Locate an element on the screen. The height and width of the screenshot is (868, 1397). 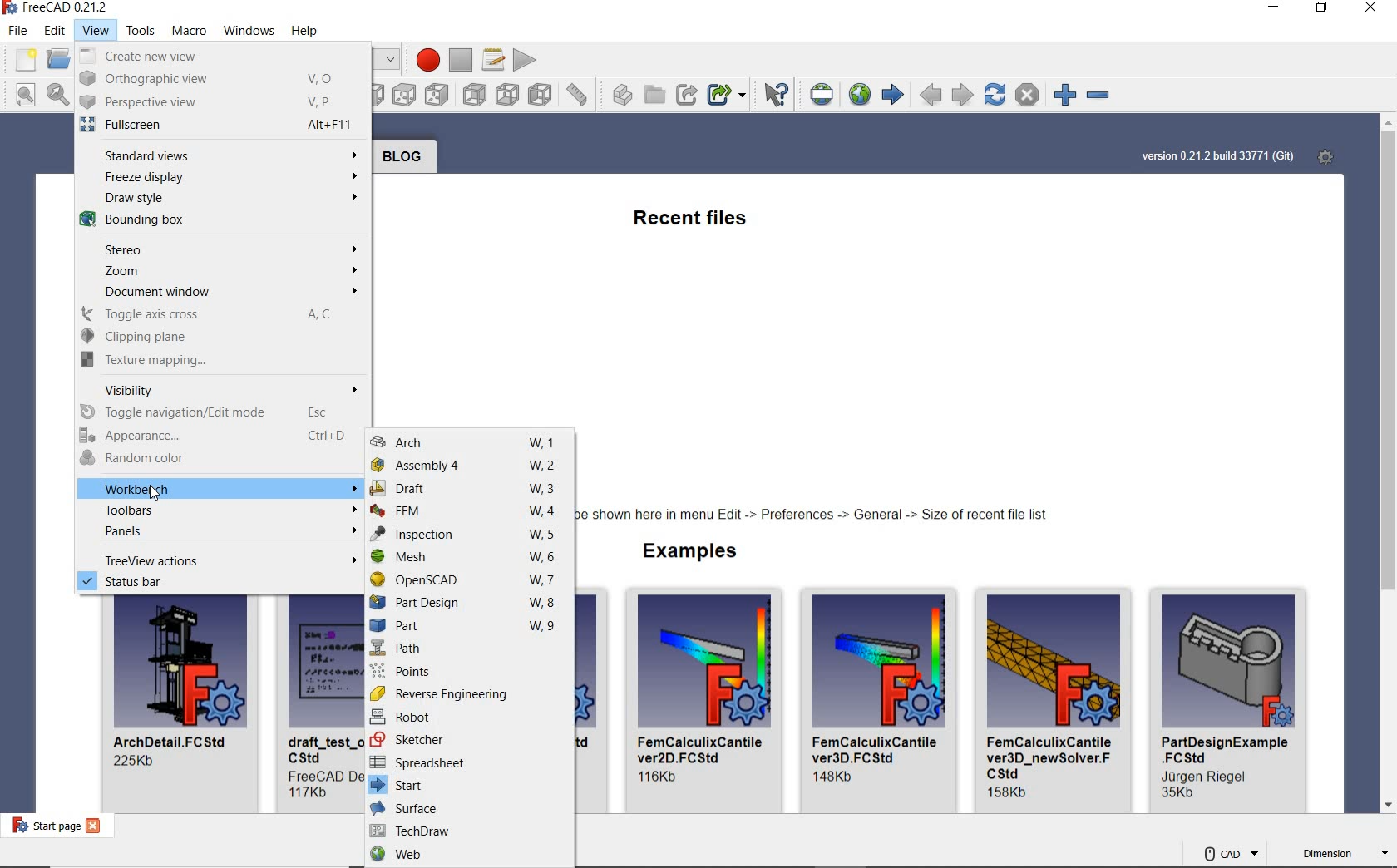
file is located at coordinates (21, 33).